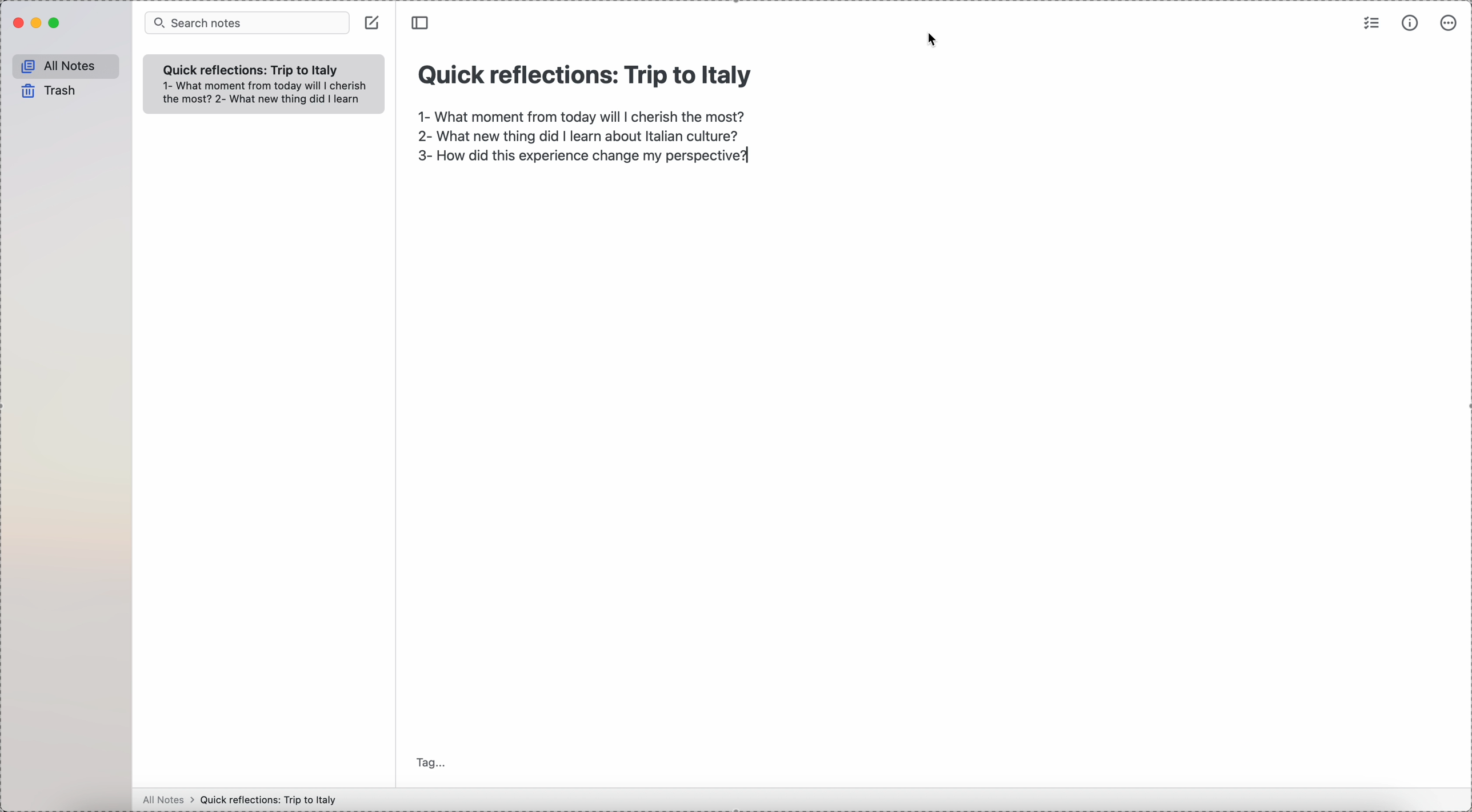  What do you see at coordinates (374, 23) in the screenshot?
I see `click on create note` at bounding box center [374, 23].